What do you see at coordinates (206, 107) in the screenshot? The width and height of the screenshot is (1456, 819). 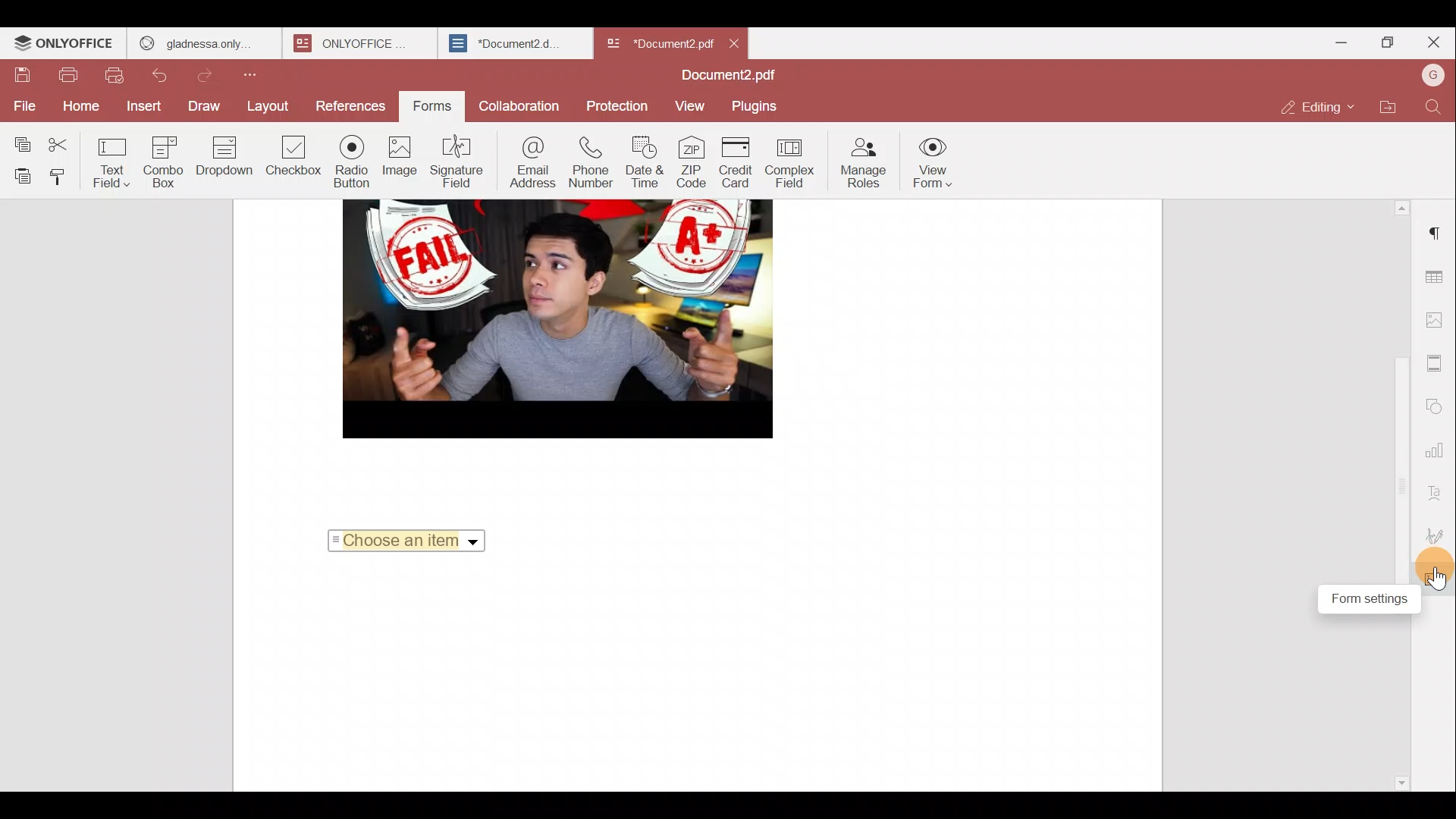 I see `Draw` at bounding box center [206, 107].